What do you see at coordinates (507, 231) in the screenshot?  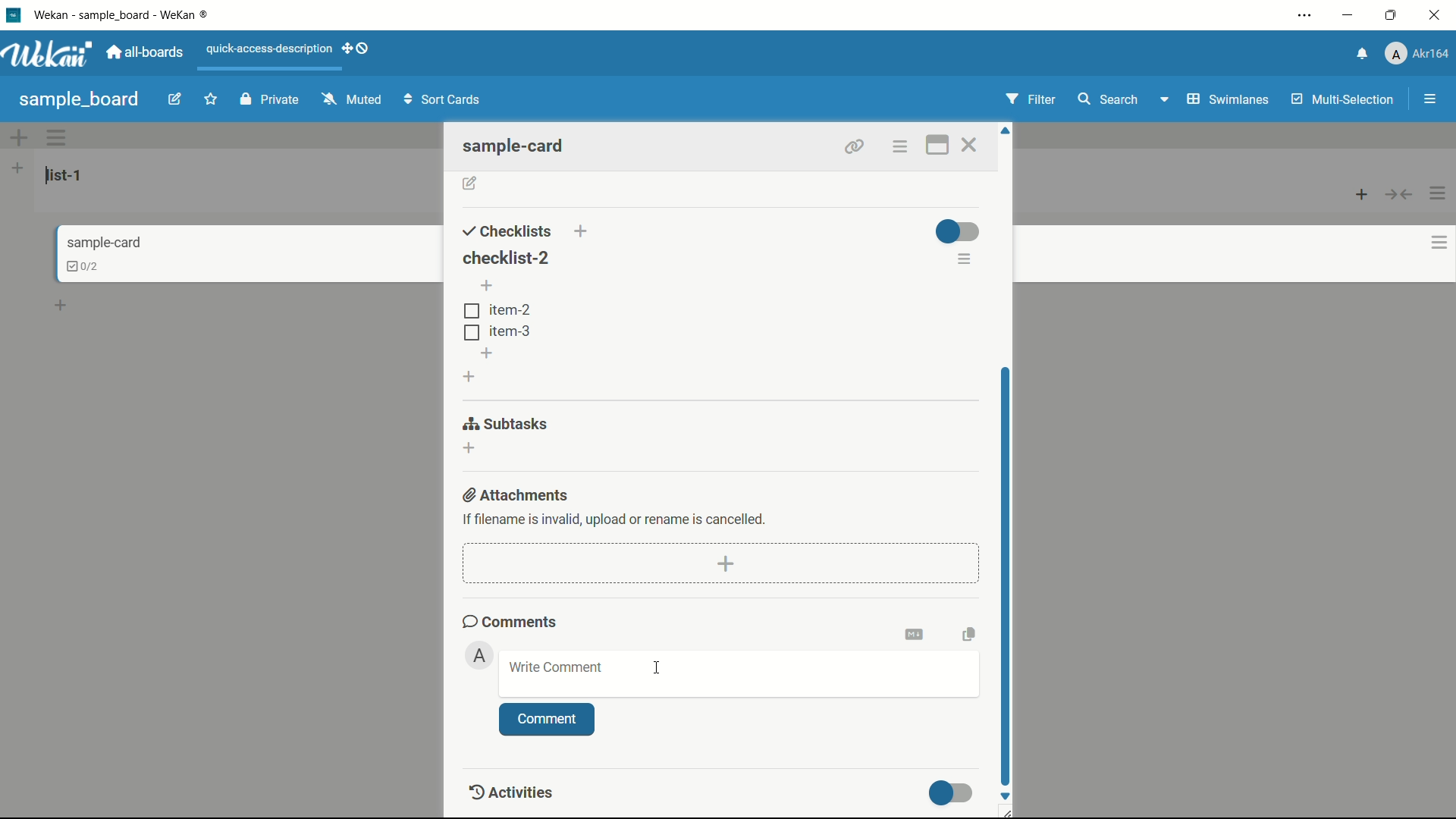 I see `checklists` at bounding box center [507, 231].